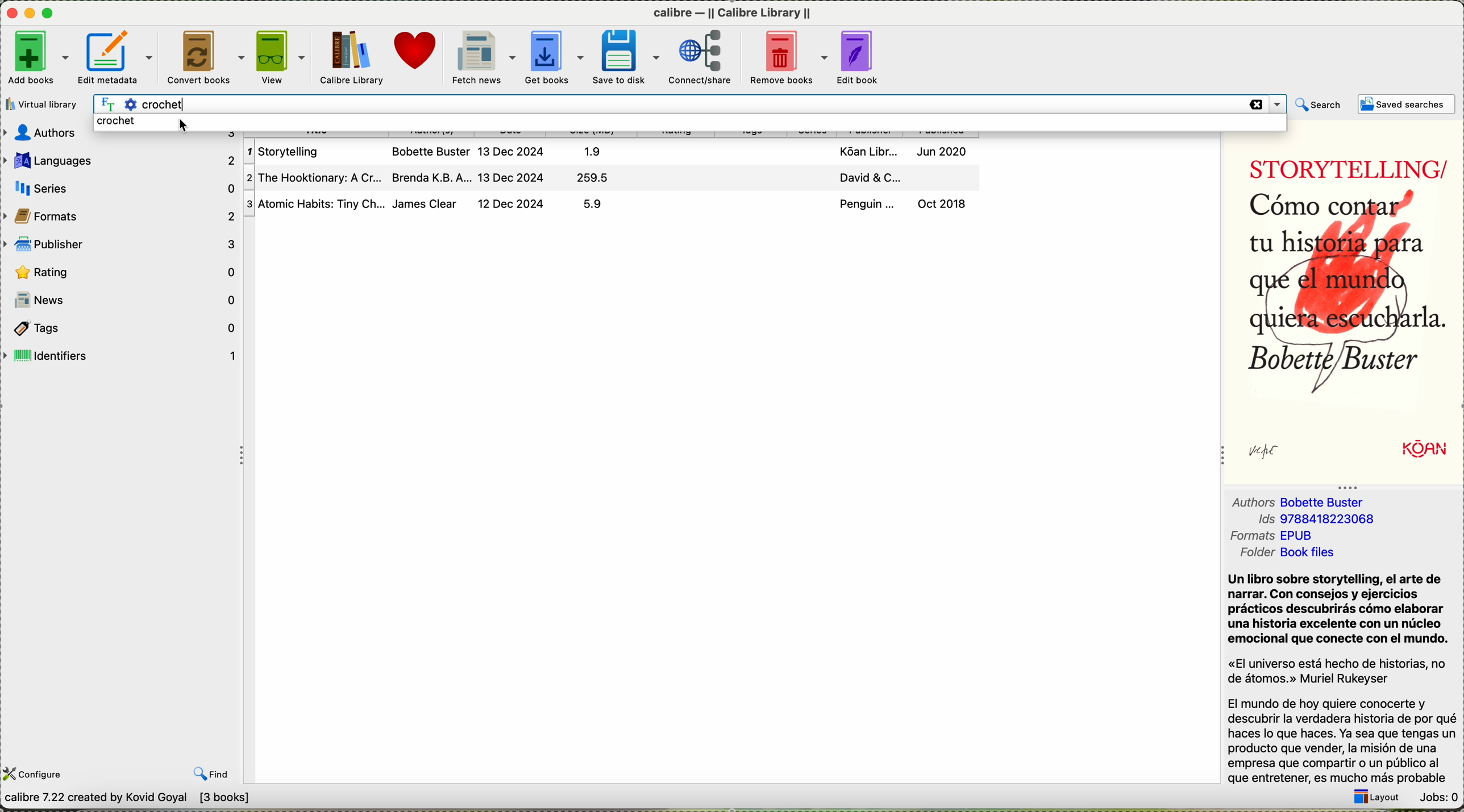  What do you see at coordinates (503, 104) in the screenshot?
I see `crochet` at bounding box center [503, 104].